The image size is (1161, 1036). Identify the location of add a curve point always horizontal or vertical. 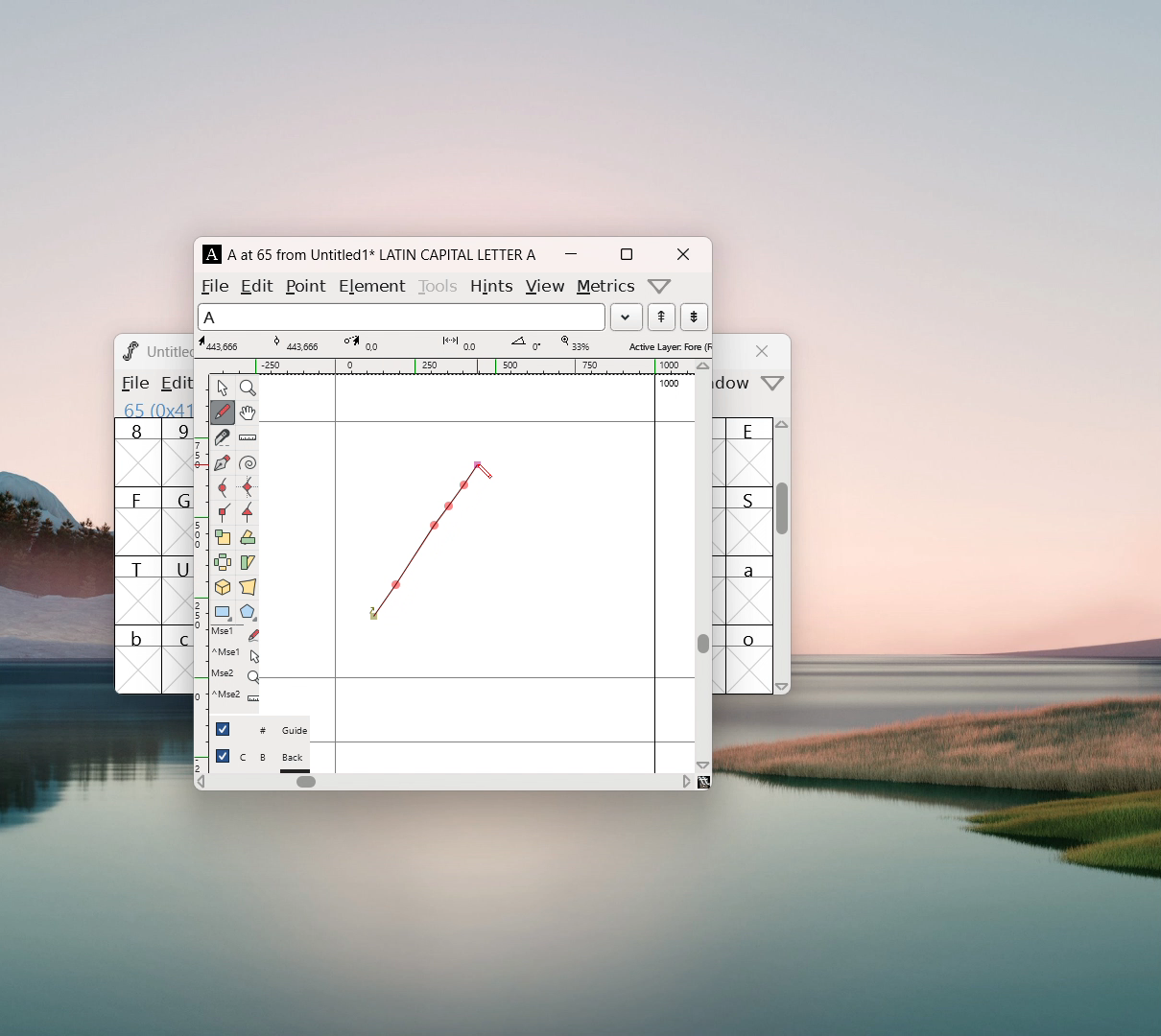
(248, 487).